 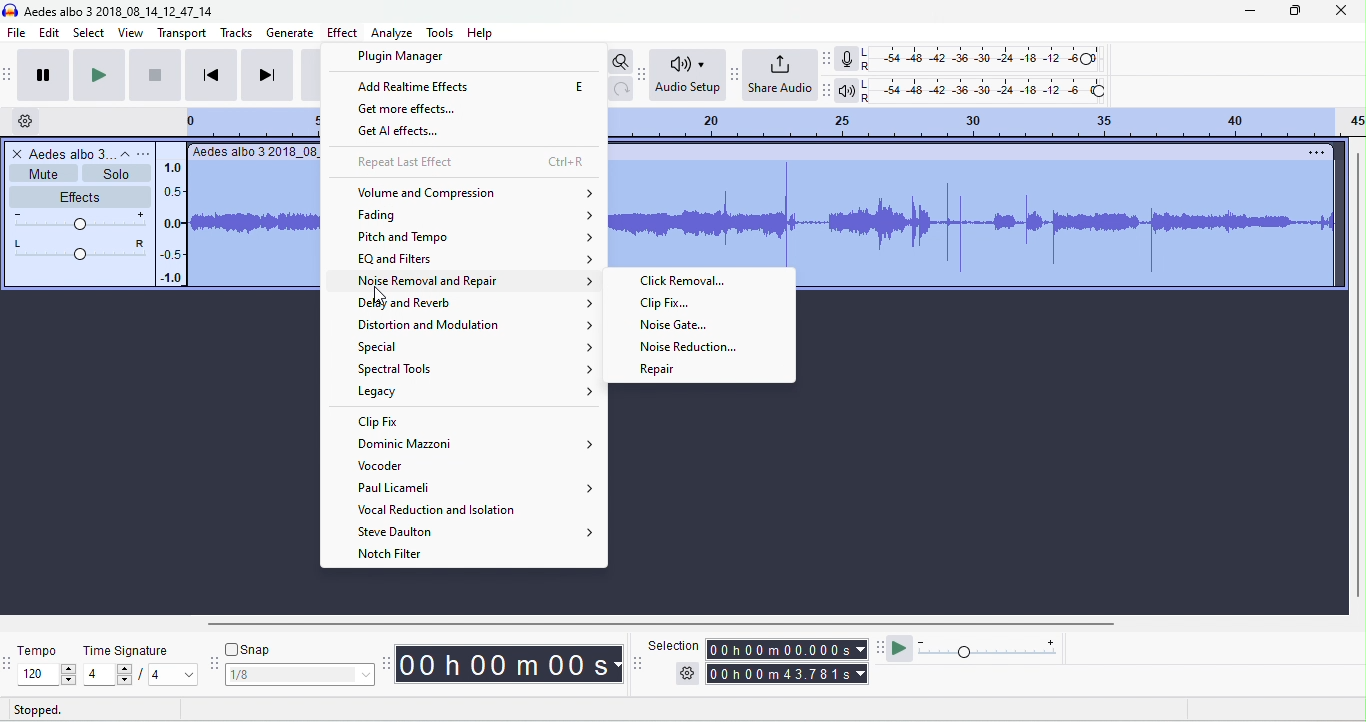 What do you see at coordinates (1294, 10) in the screenshot?
I see `maximize` at bounding box center [1294, 10].